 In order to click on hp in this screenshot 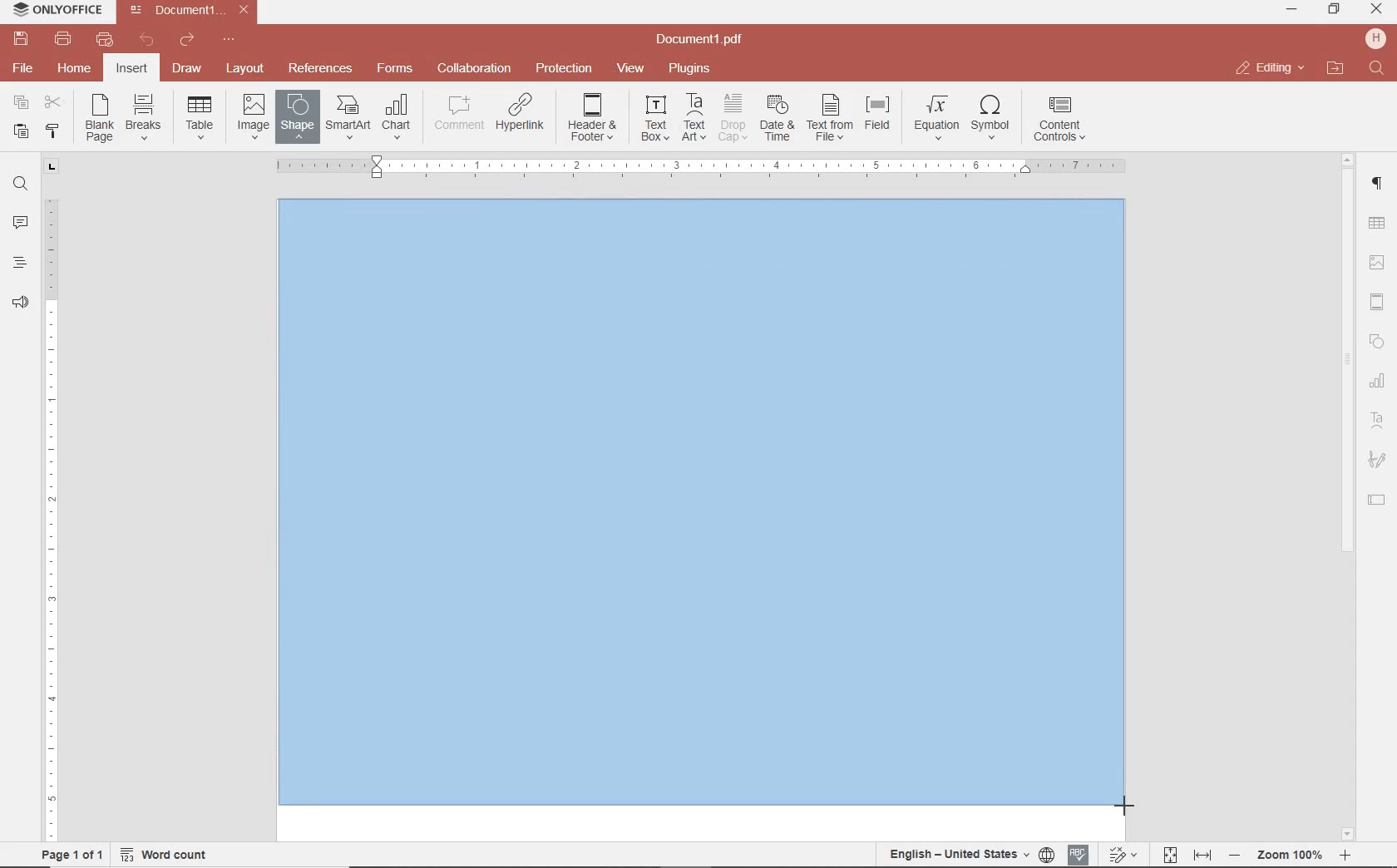, I will do `click(1379, 38)`.